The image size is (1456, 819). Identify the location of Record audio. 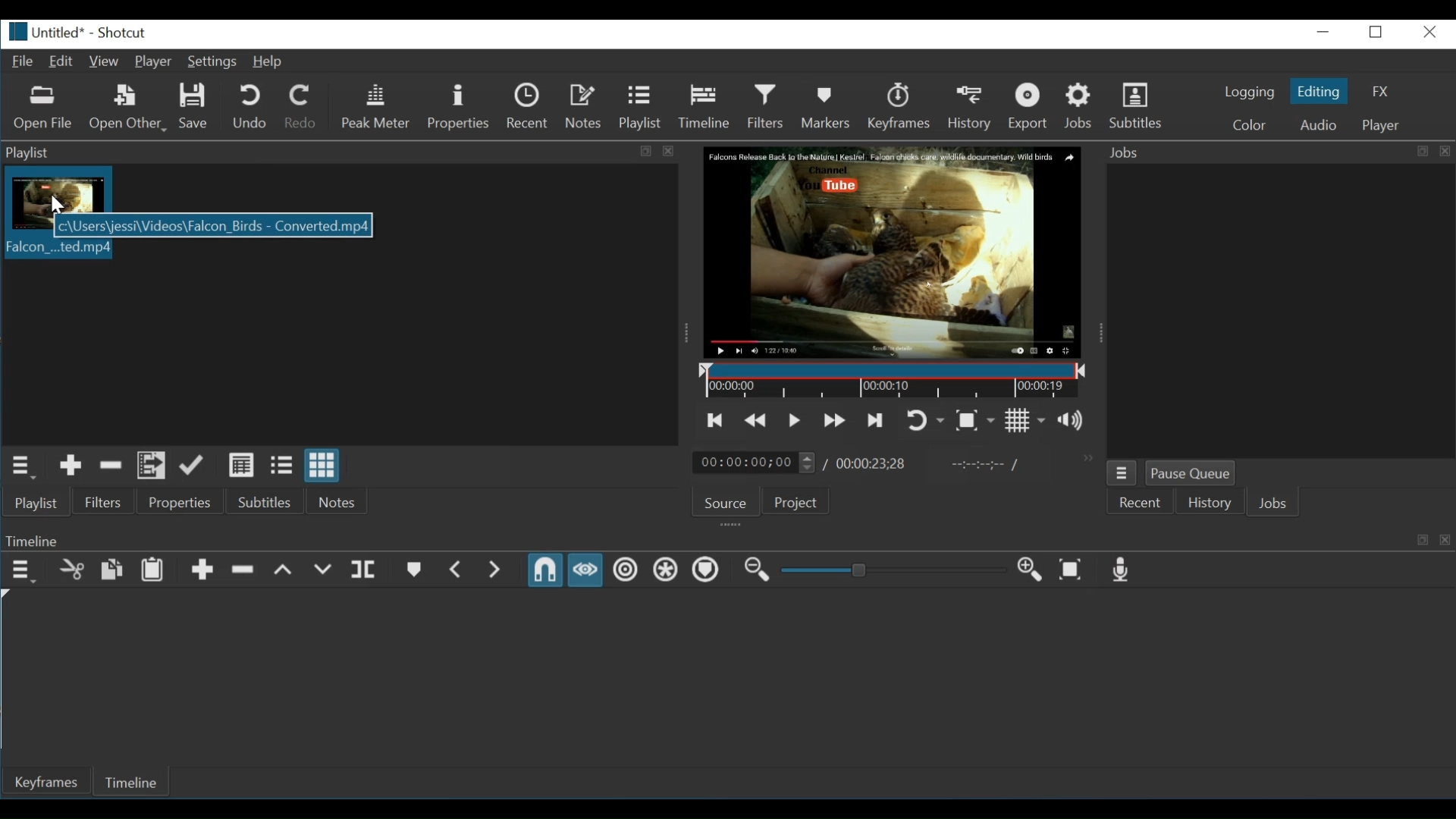
(1118, 570).